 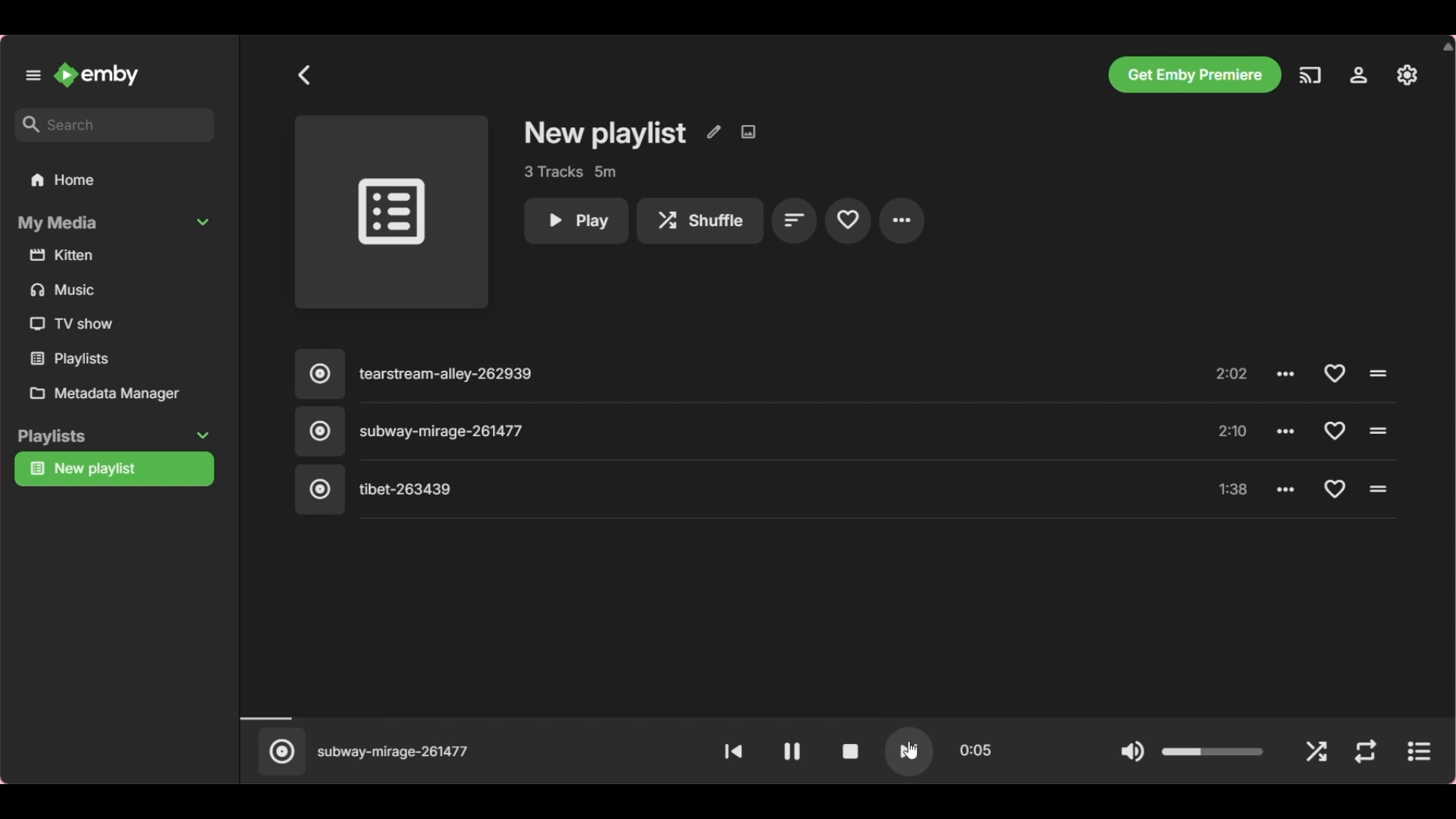 What do you see at coordinates (1376, 371) in the screenshot?
I see `Click to play ` at bounding box center [1376, 371].